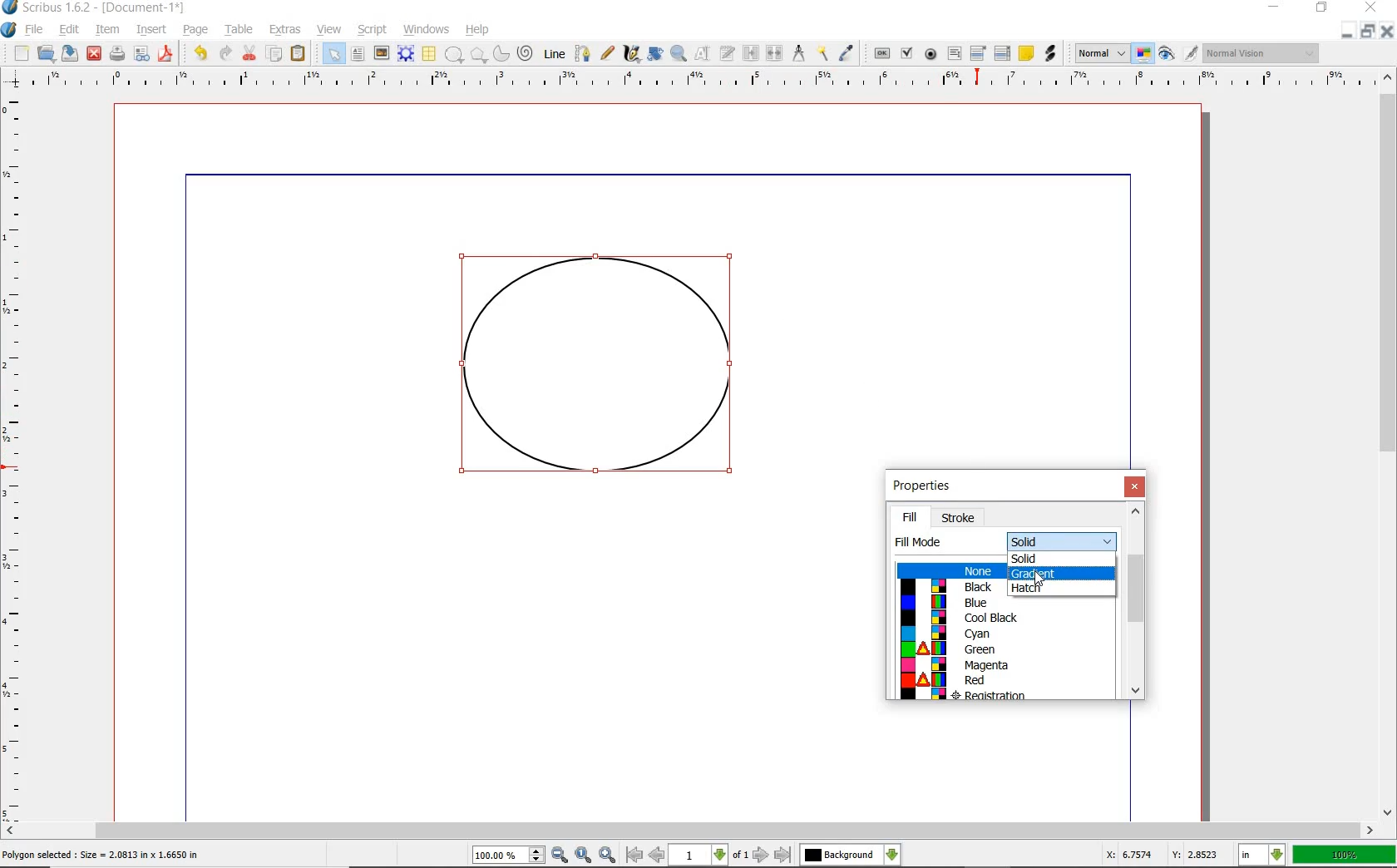 The width and height of the screenshot is (1397, 868). I want to click on CUT, so click(250, 52).